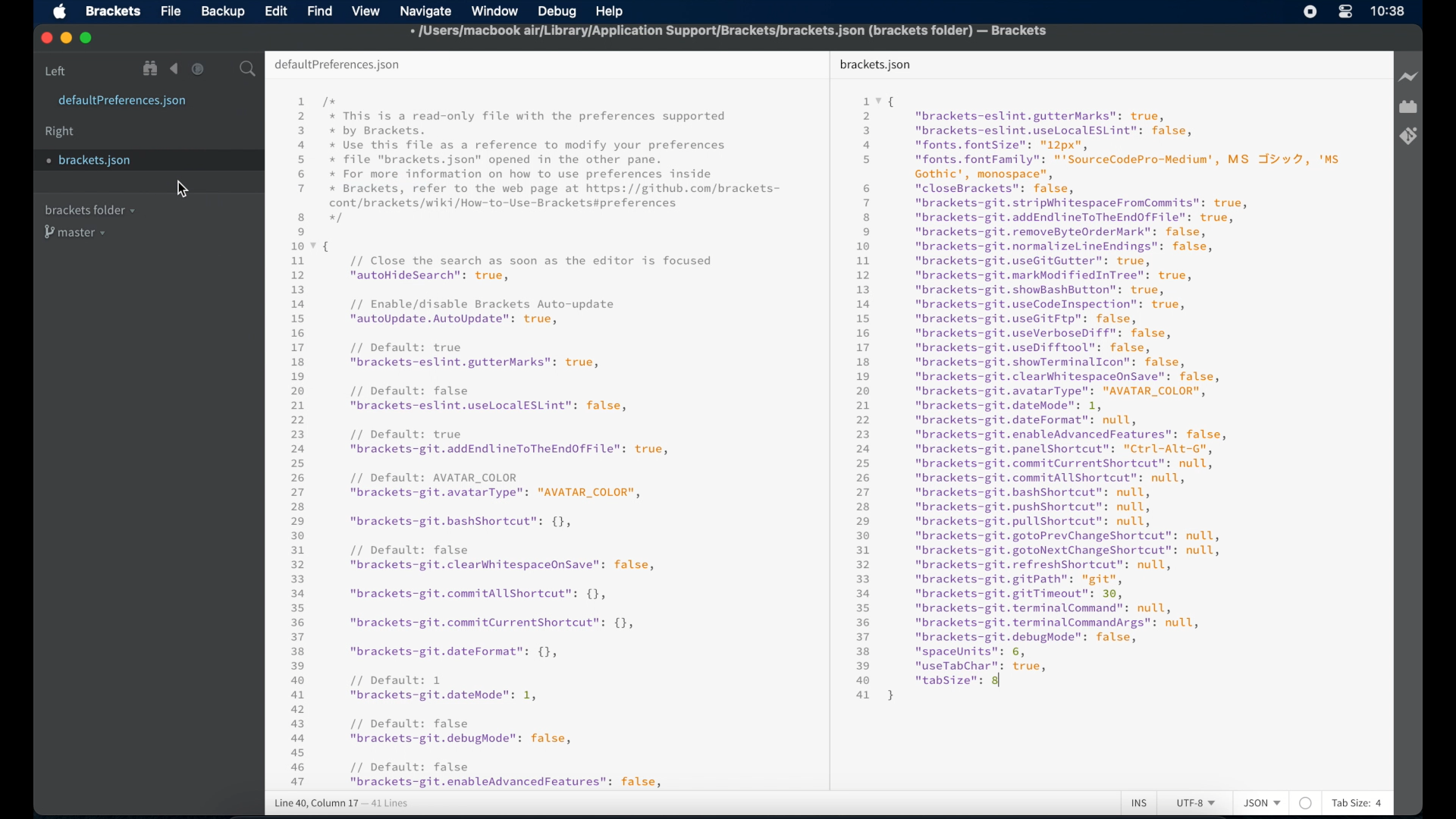  I want to click on brackets, so click(114, 11).